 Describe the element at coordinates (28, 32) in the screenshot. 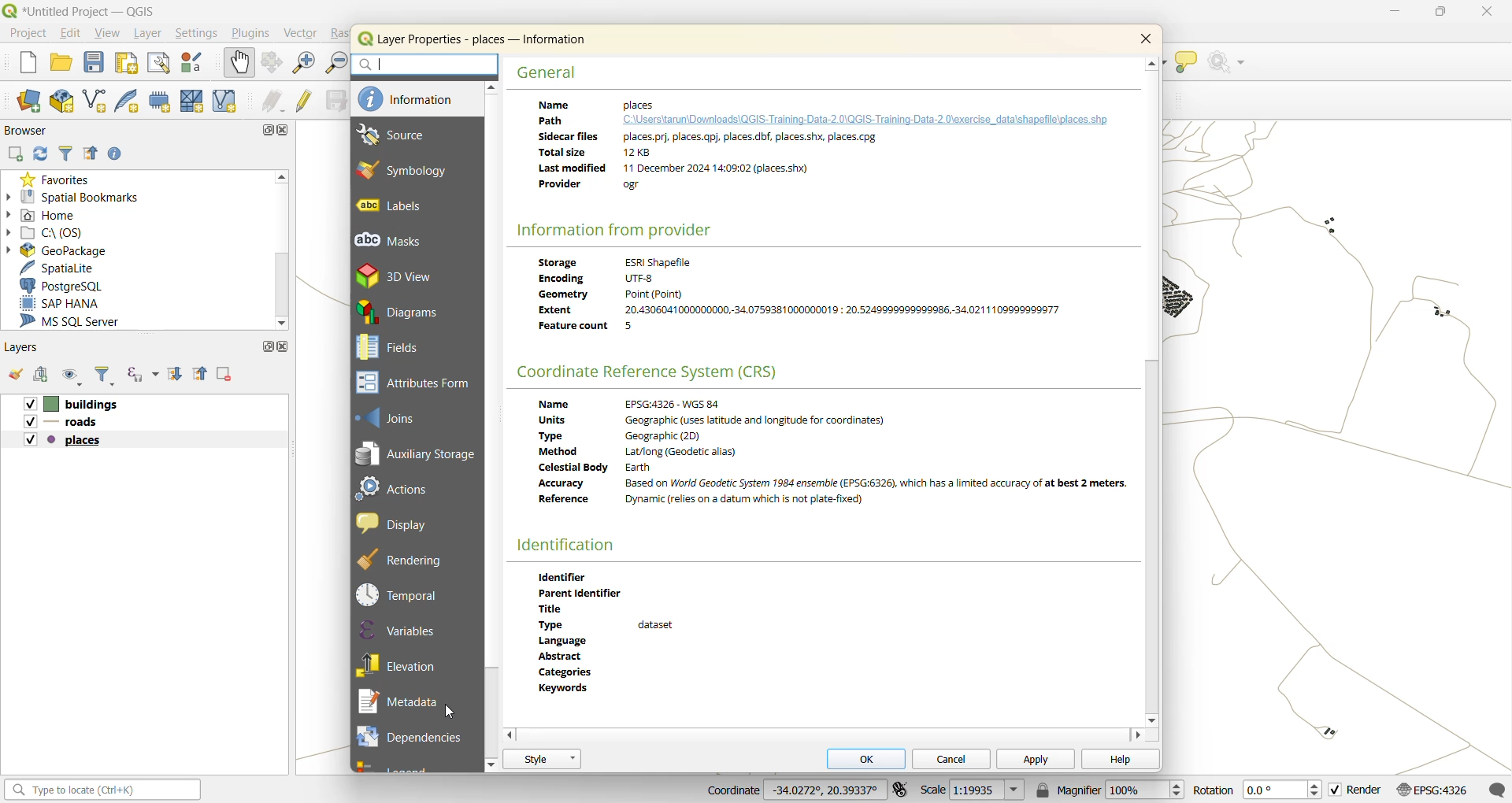

I see `project` at that location.